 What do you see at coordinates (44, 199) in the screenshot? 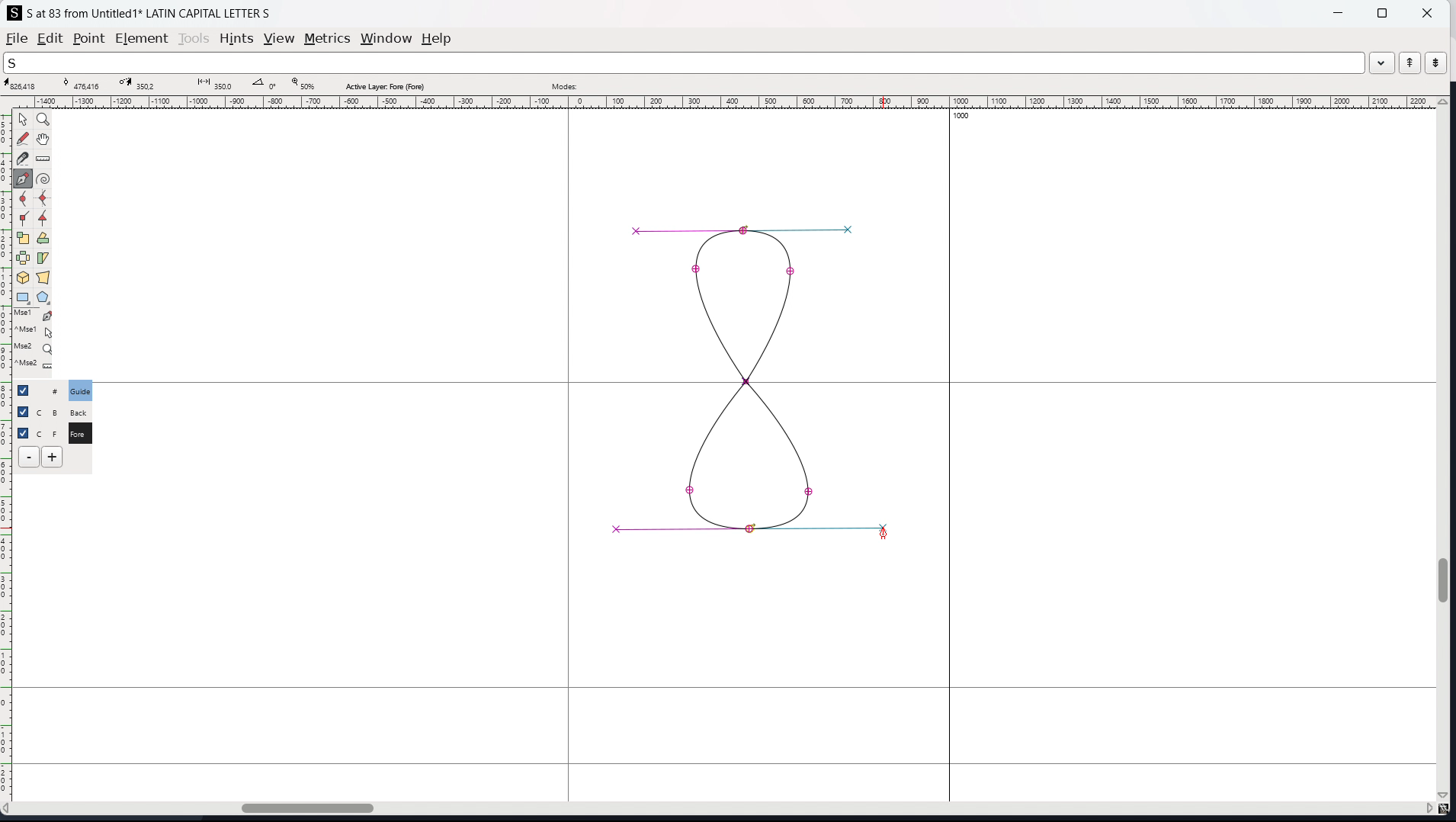
I see `add a curve point always either vertically or horizontally` at bounding box center [44, 199].